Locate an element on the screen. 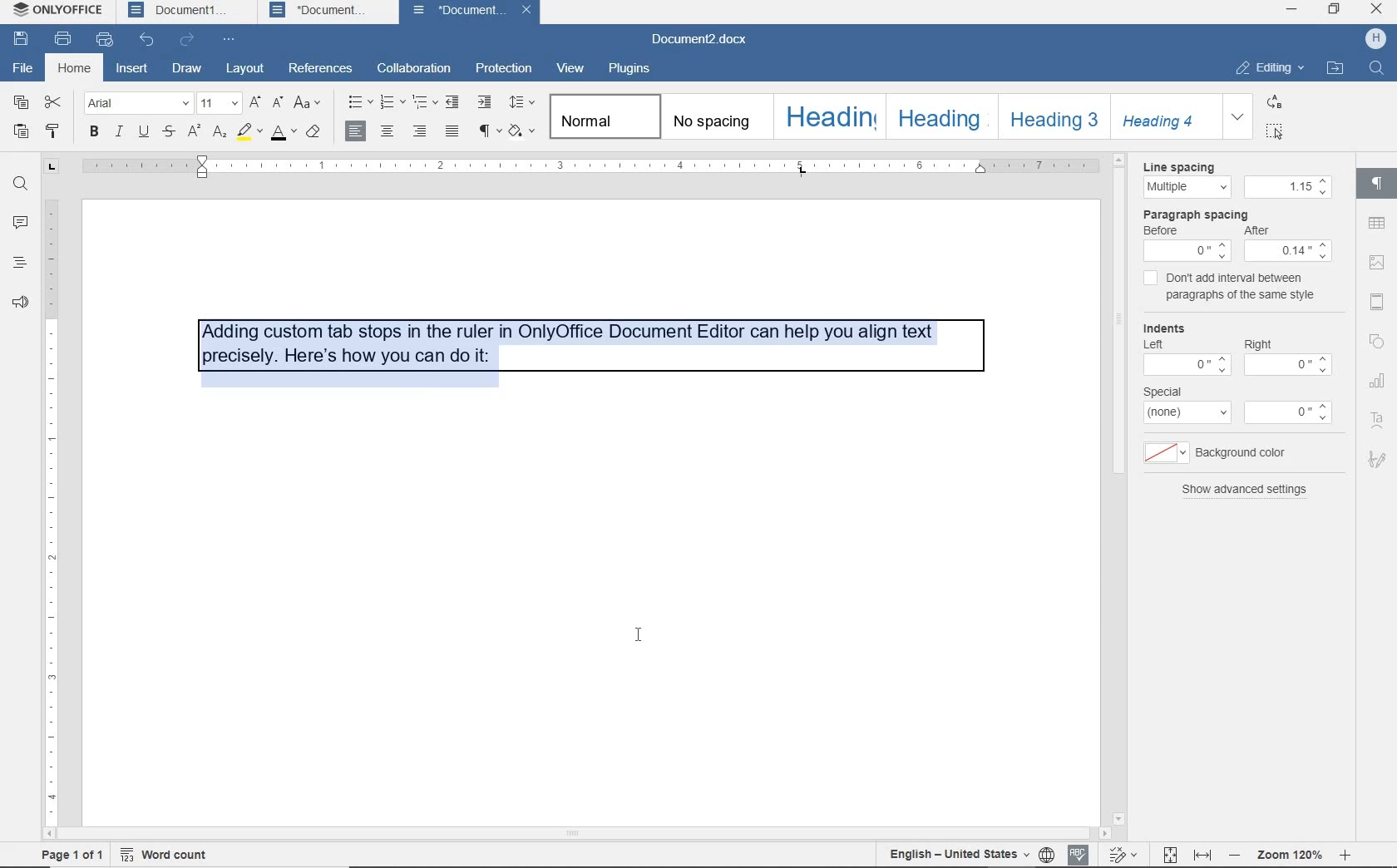  clear style is located at coordinates (317, 134).